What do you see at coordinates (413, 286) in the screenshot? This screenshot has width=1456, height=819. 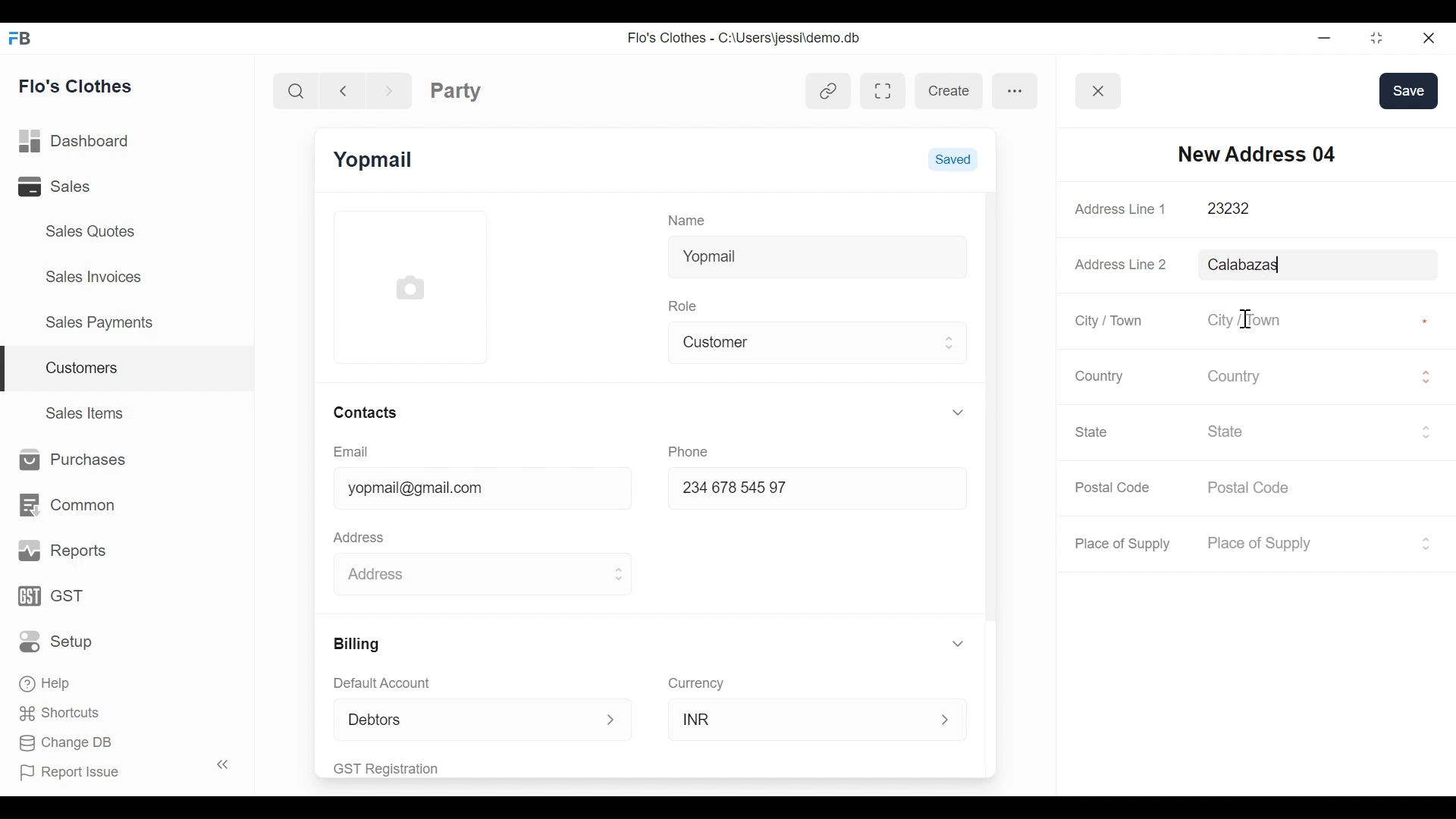 I see `Profile Picture` at bounding box center [413, 286].